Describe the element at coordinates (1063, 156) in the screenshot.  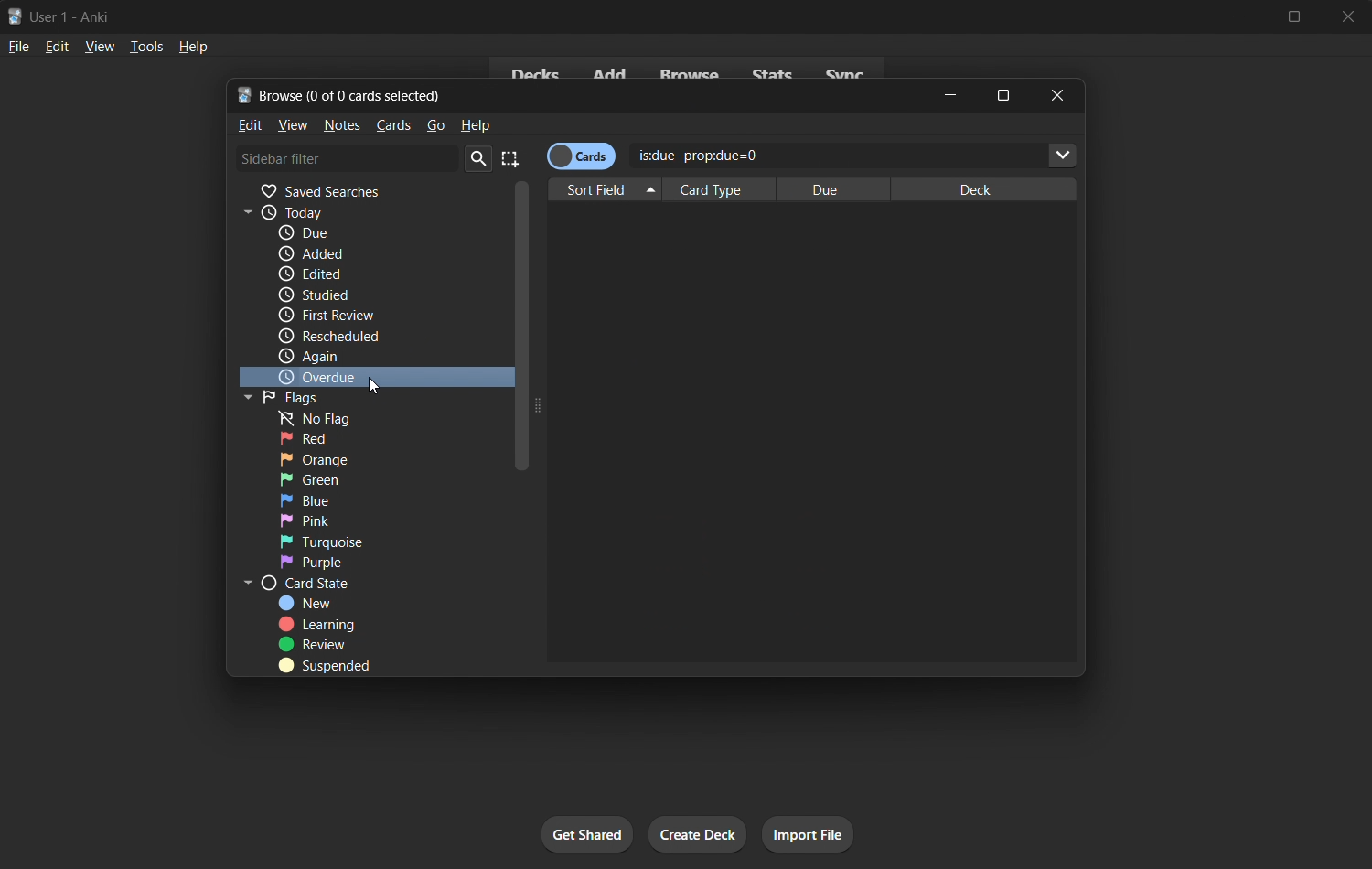
I see `Drop down` at that location.